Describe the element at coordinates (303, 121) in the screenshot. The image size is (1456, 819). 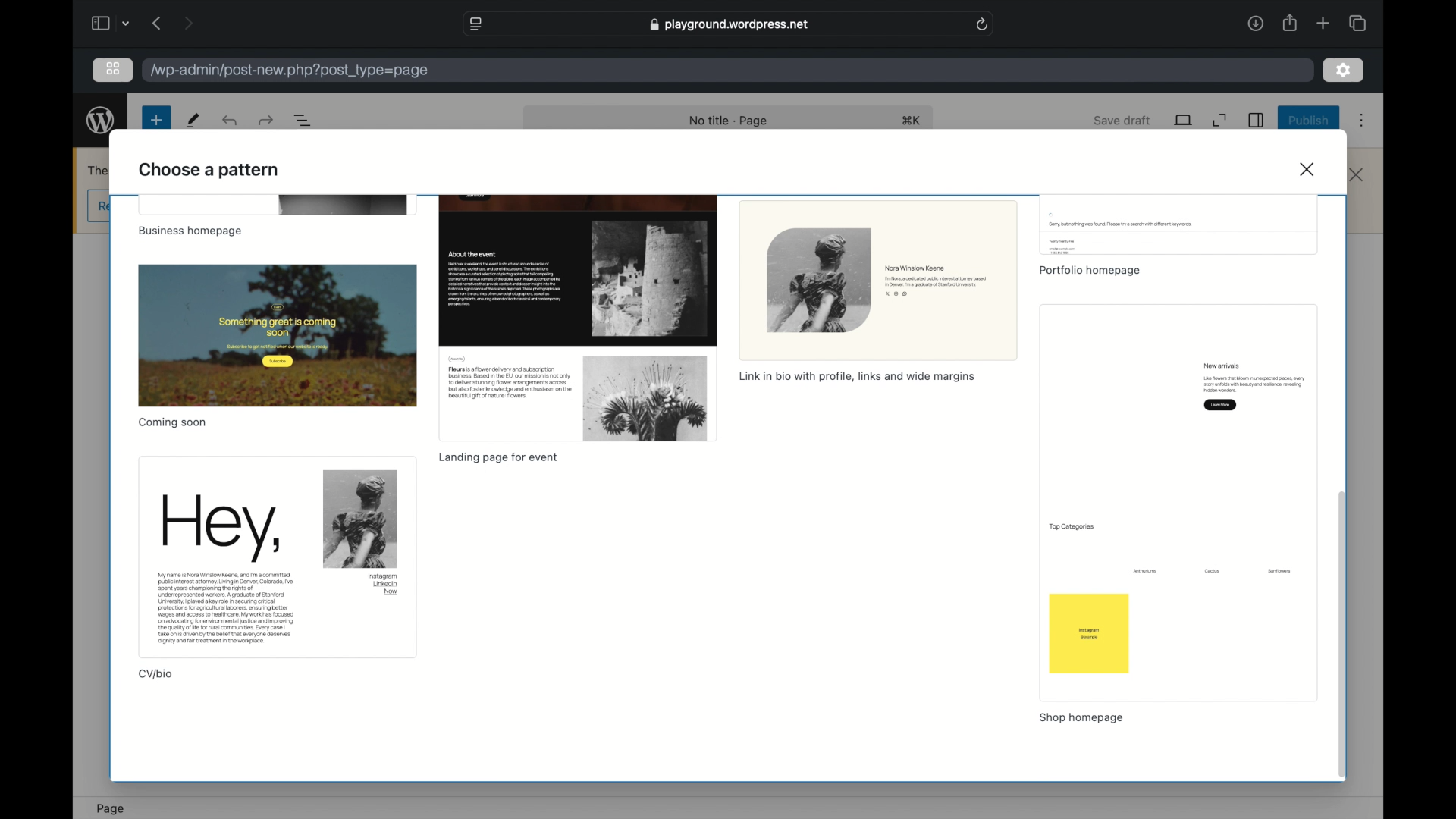
I see `document overview` at that location.